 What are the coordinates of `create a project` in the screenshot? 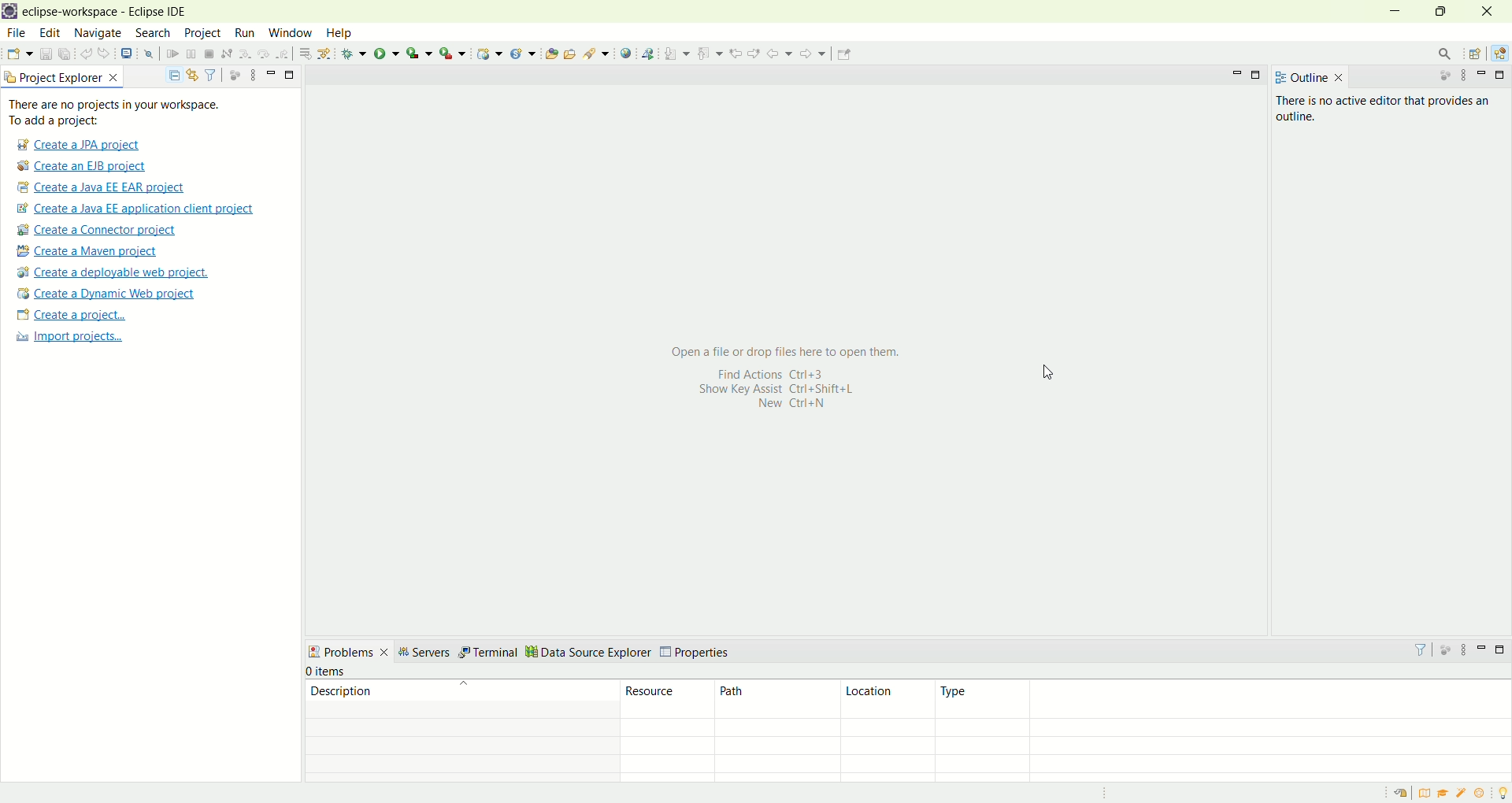 It's located at (72, 316).